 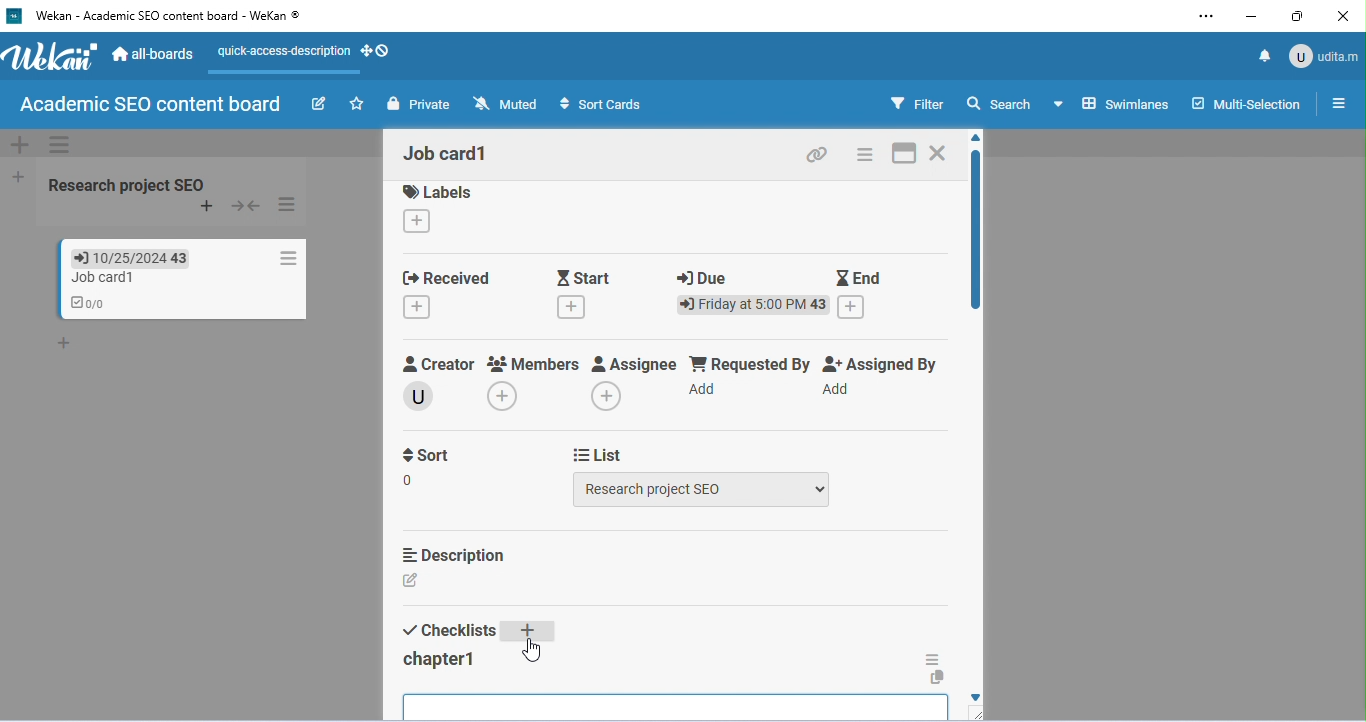 I want to click on add checklist, so click(x=528, y=634).